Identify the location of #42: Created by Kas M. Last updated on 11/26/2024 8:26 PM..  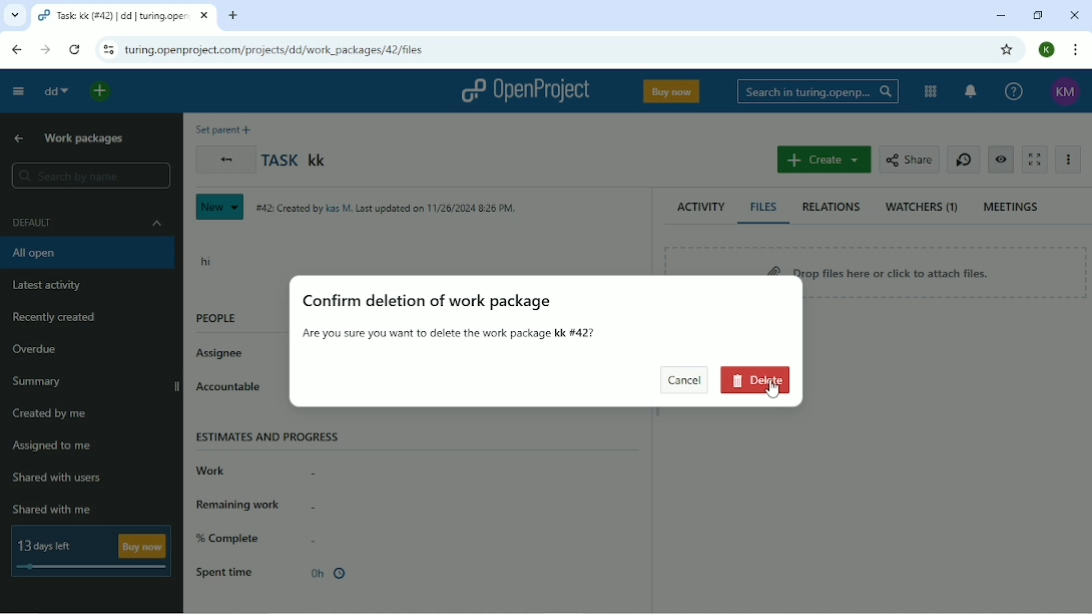
(386, 208).